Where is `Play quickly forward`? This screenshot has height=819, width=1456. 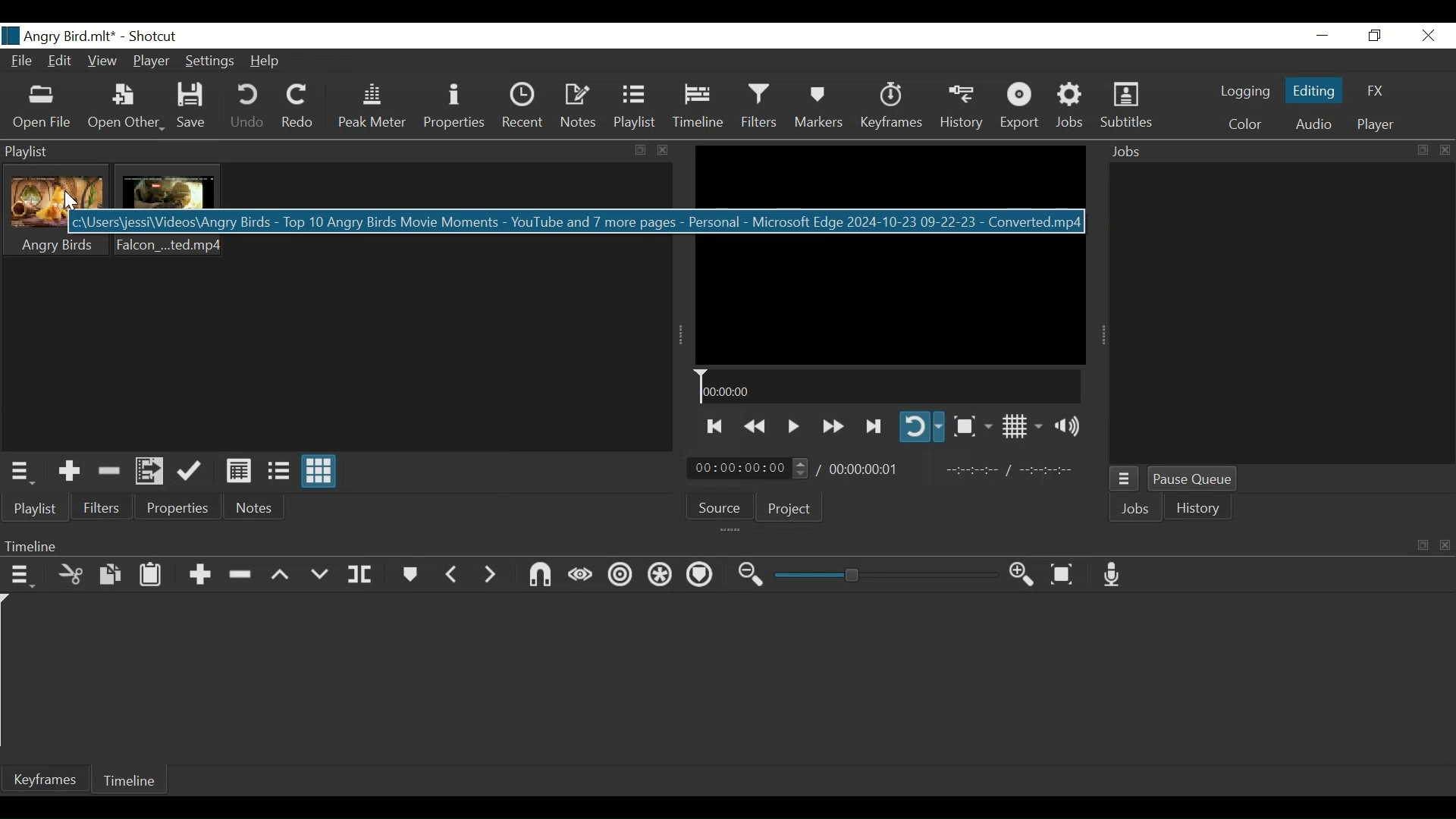 Play quickly forward is located at coordinates (832, 425).